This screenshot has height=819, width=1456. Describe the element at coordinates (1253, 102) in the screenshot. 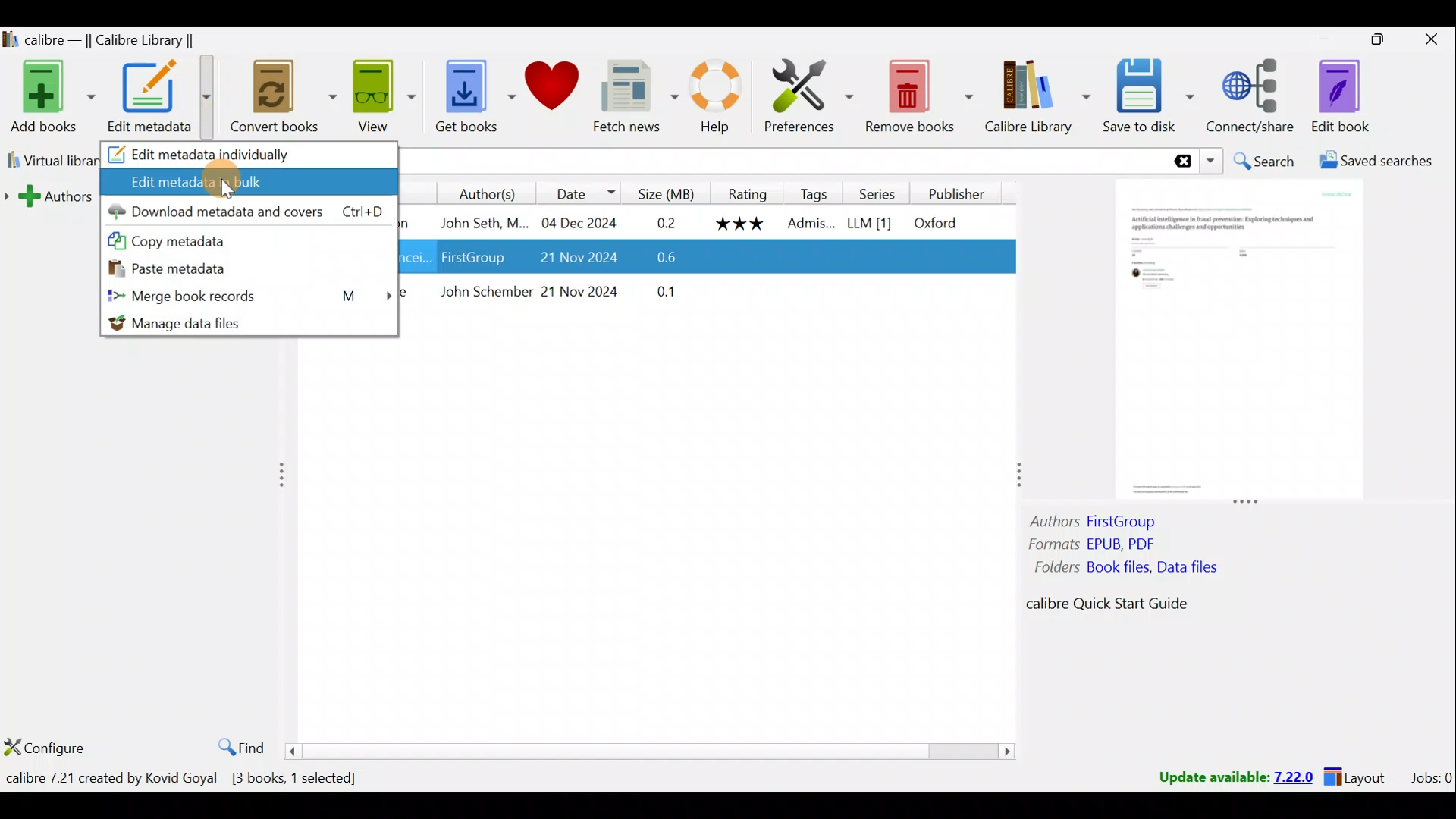

I see `Connect/Share` at that location.